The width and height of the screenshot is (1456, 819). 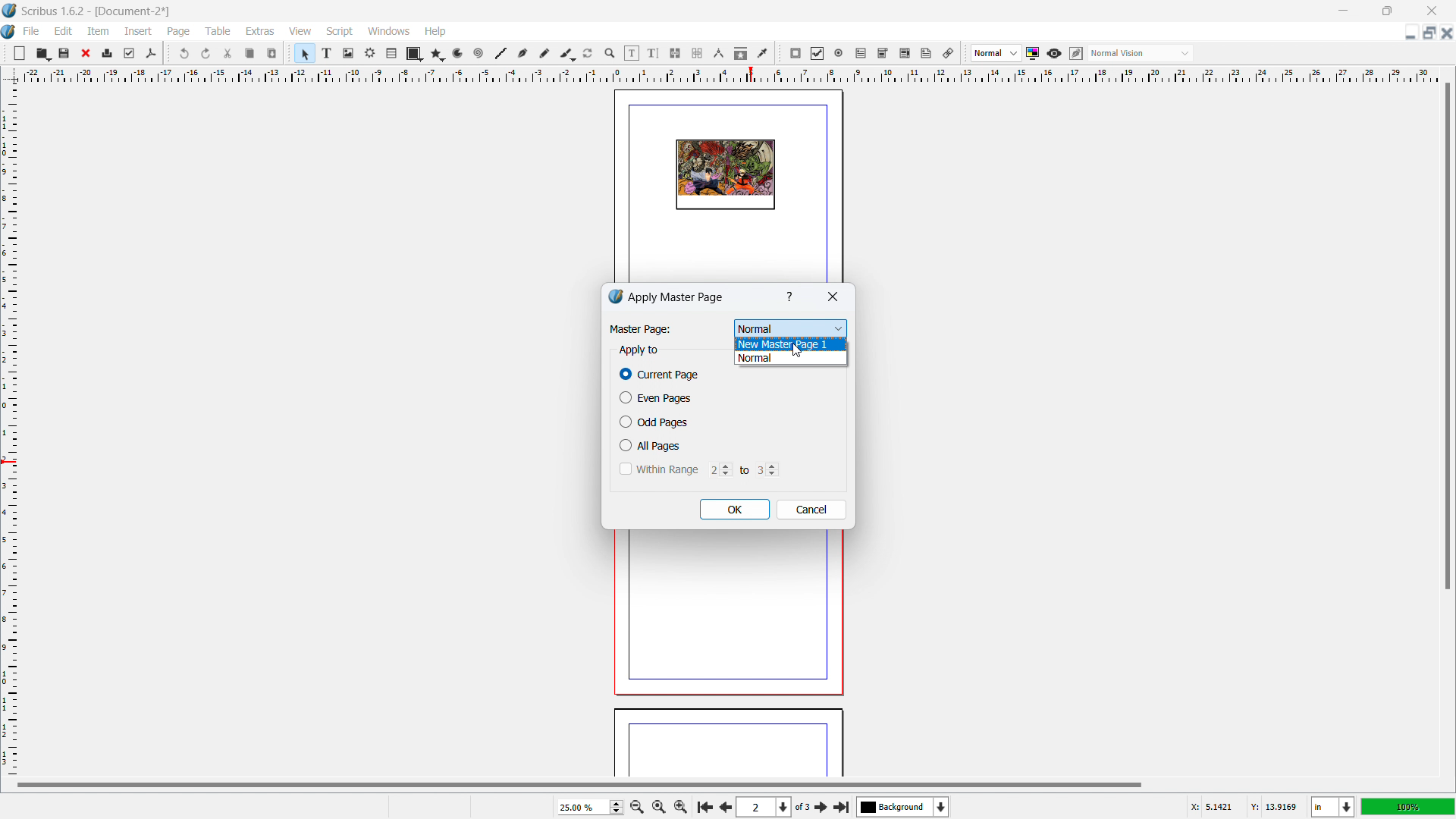 What do you see at coordinates (348, 53) in the screenshot?
I see `image frame` at bounding box center [348, 53].